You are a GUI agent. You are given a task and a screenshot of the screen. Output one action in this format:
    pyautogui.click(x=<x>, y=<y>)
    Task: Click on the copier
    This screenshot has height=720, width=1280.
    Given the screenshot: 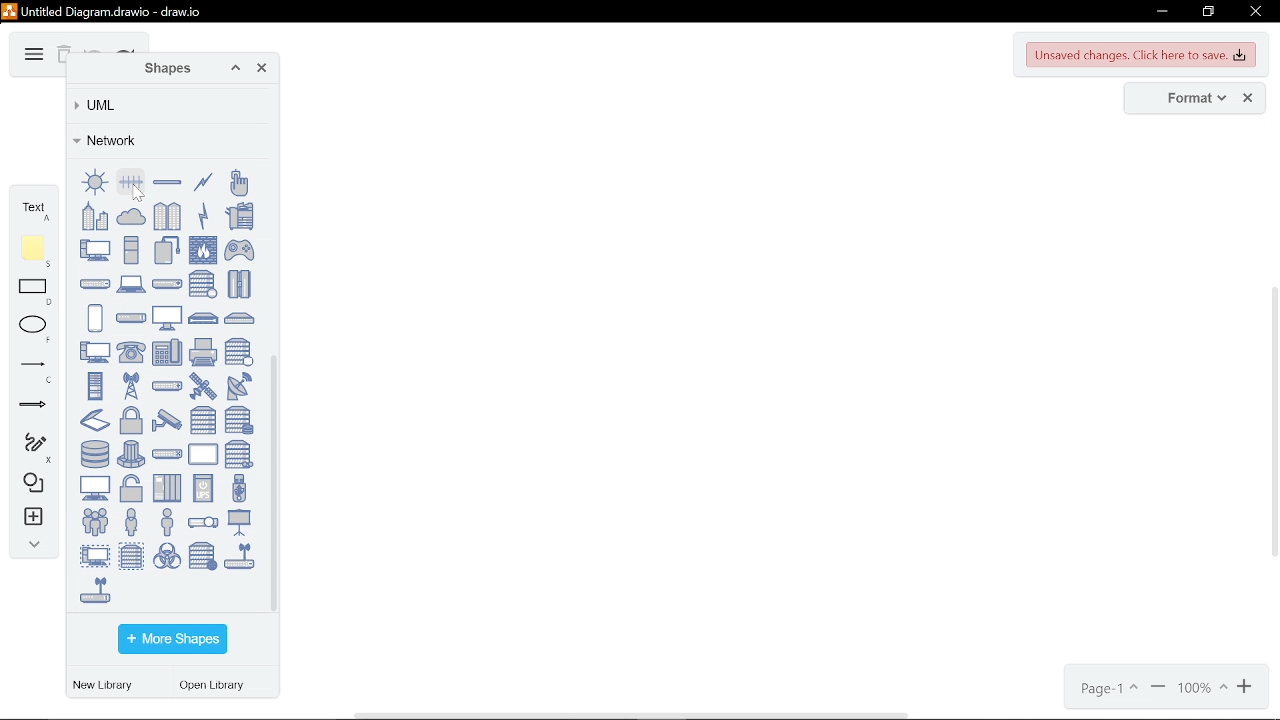 What is the action you would take?
    pyautogui.click(x=239, y=215)
    